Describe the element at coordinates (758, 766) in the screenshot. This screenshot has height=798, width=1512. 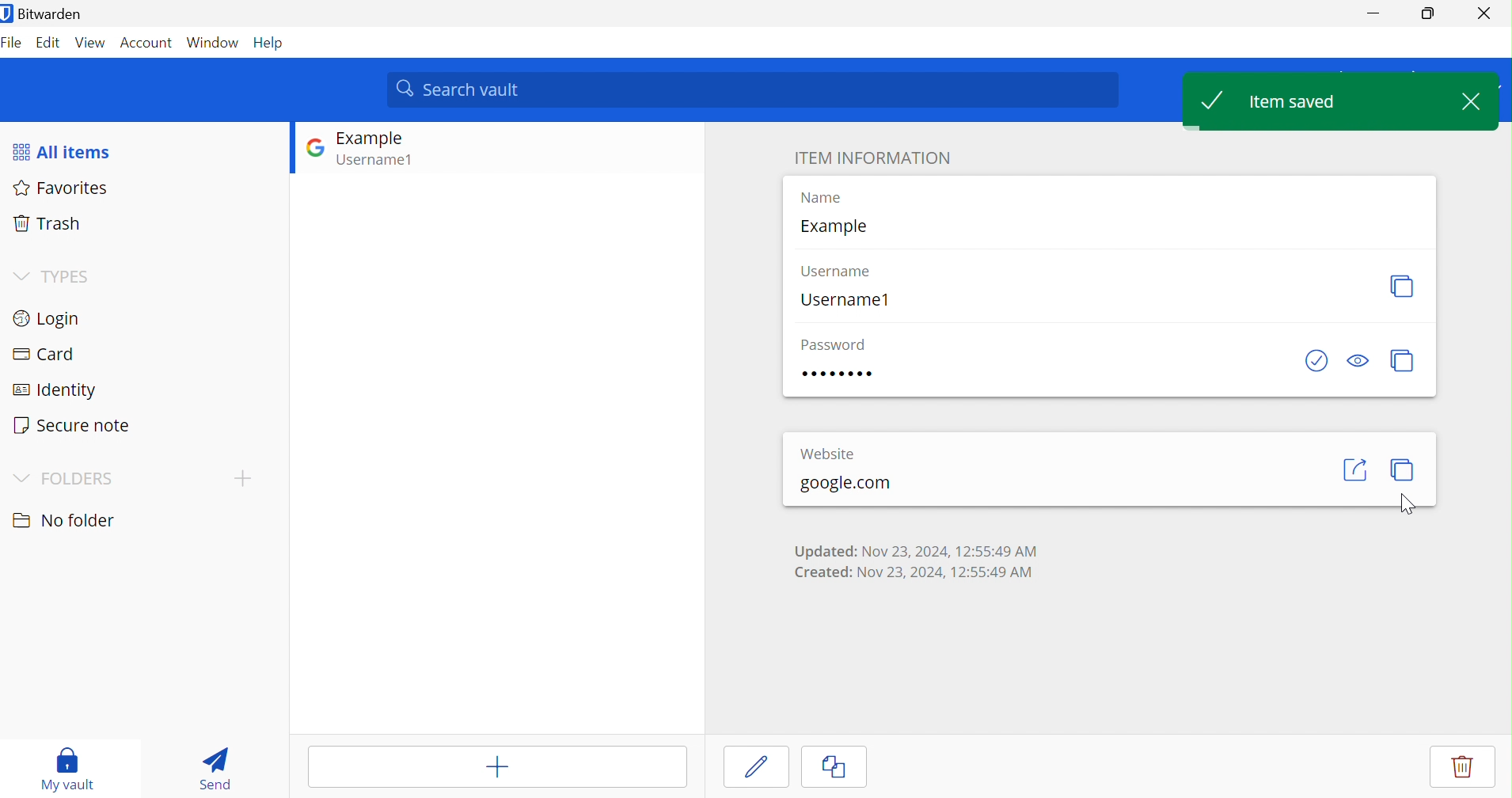
I see `Save` at that location.